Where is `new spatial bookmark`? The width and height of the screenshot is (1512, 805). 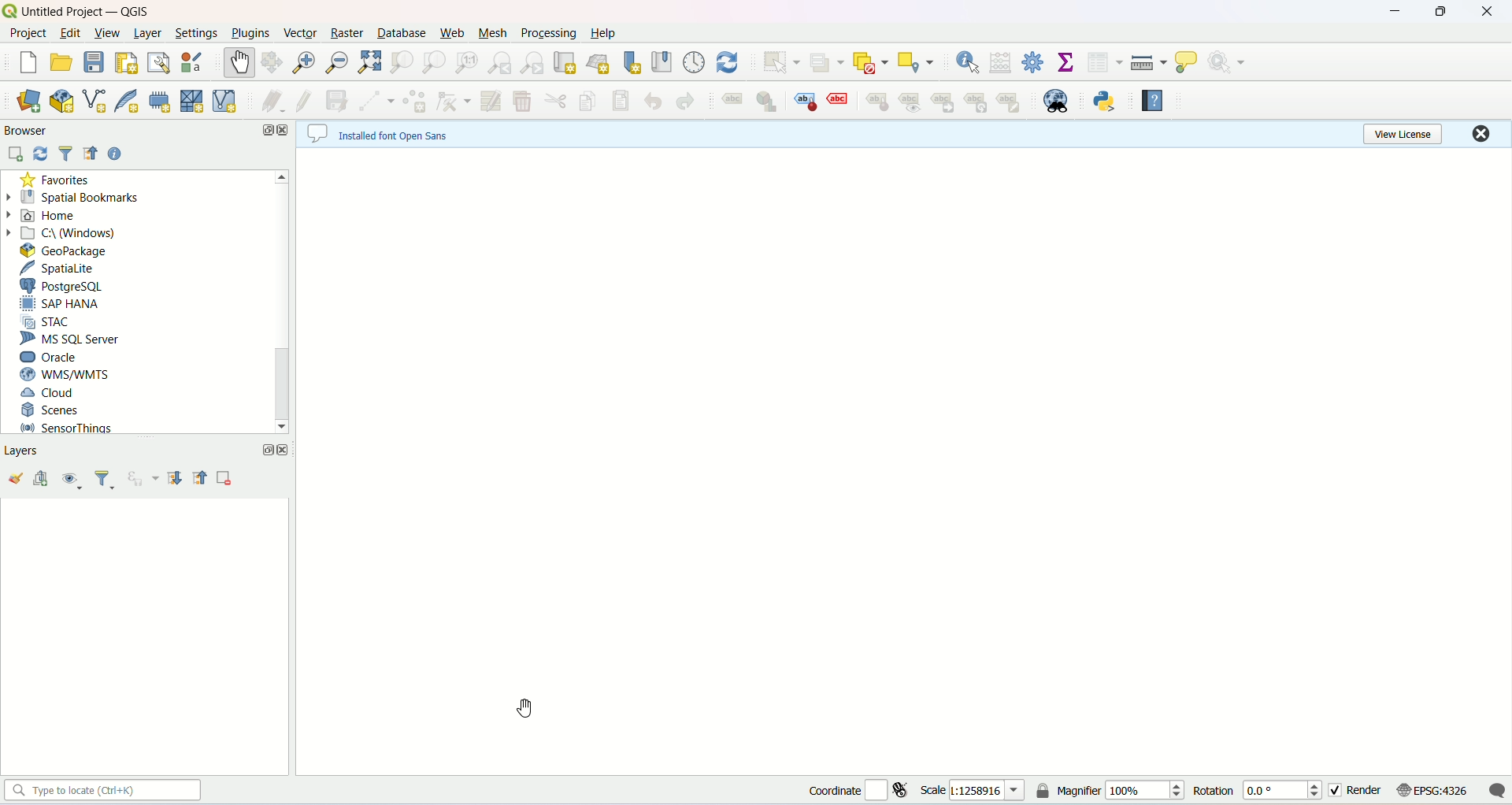
new spatial bookmark is located at coordinates (632, 61).